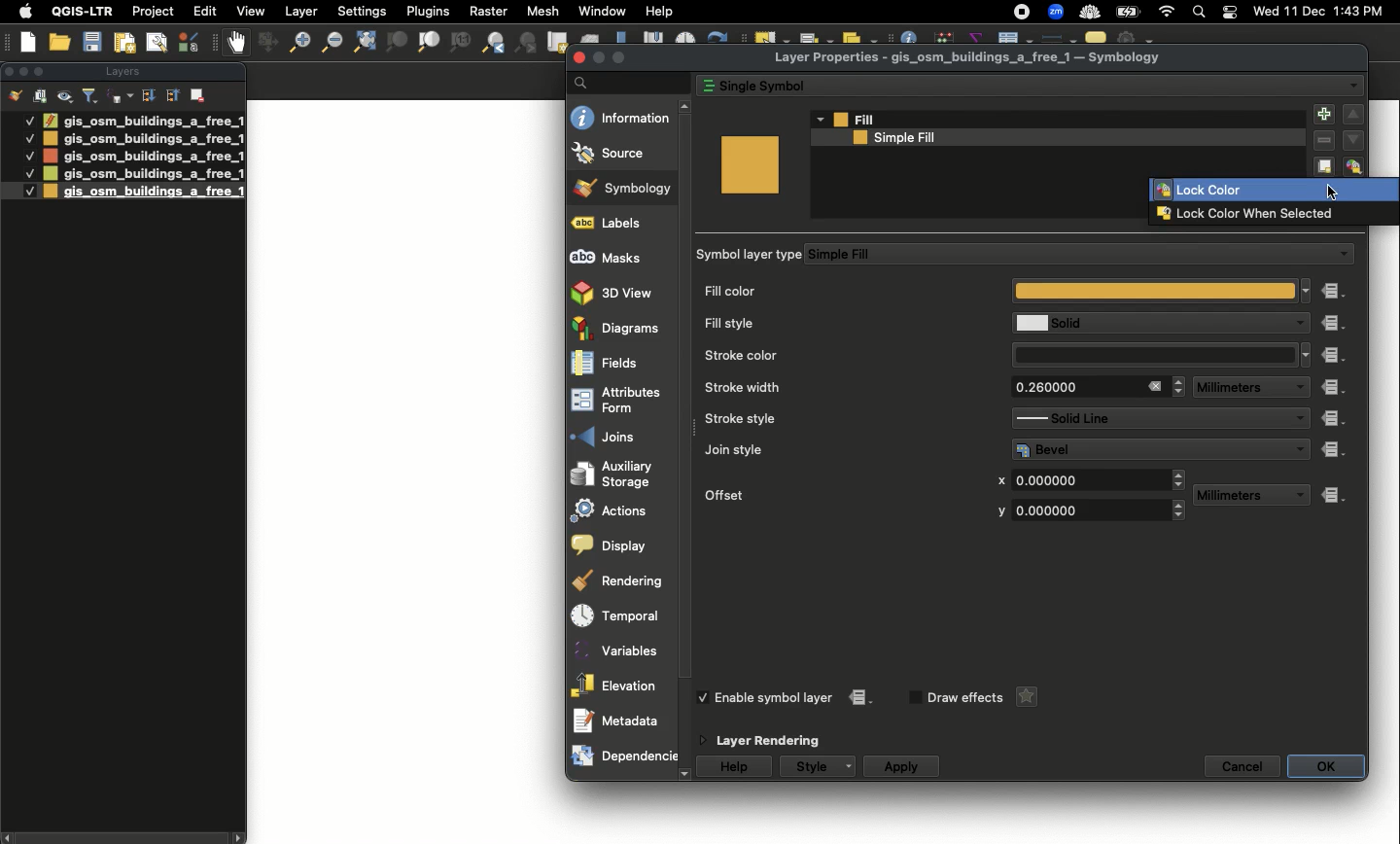 The height and width of the screenshot is (844, 1400). Describe the element at coordinates (83, 11) in the screenshot. I see `QGIS-LTR` at that location.